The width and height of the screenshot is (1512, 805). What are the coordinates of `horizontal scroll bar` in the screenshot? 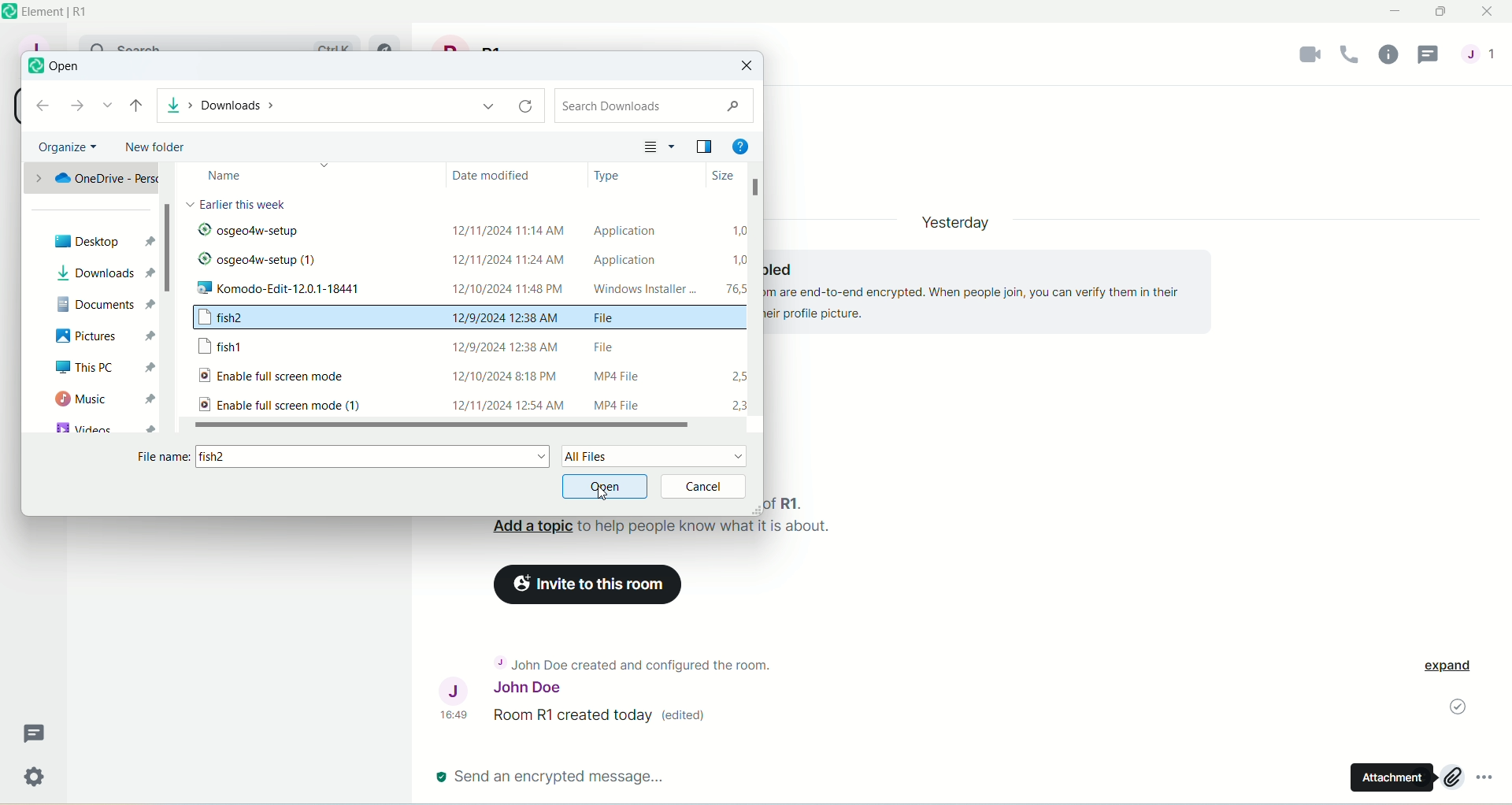 It's located at (442, 425).